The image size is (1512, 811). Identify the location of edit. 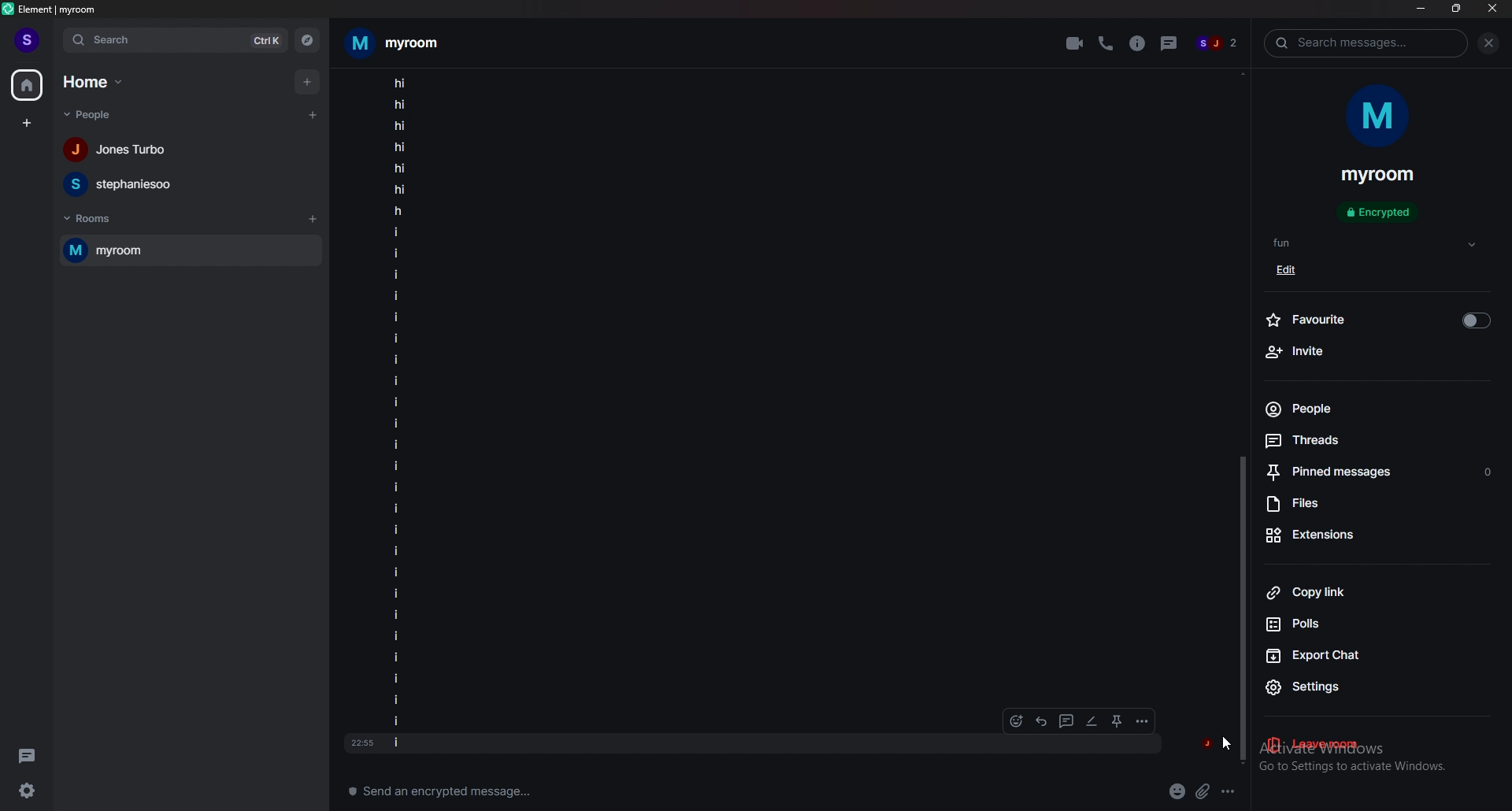
(1091, 722).